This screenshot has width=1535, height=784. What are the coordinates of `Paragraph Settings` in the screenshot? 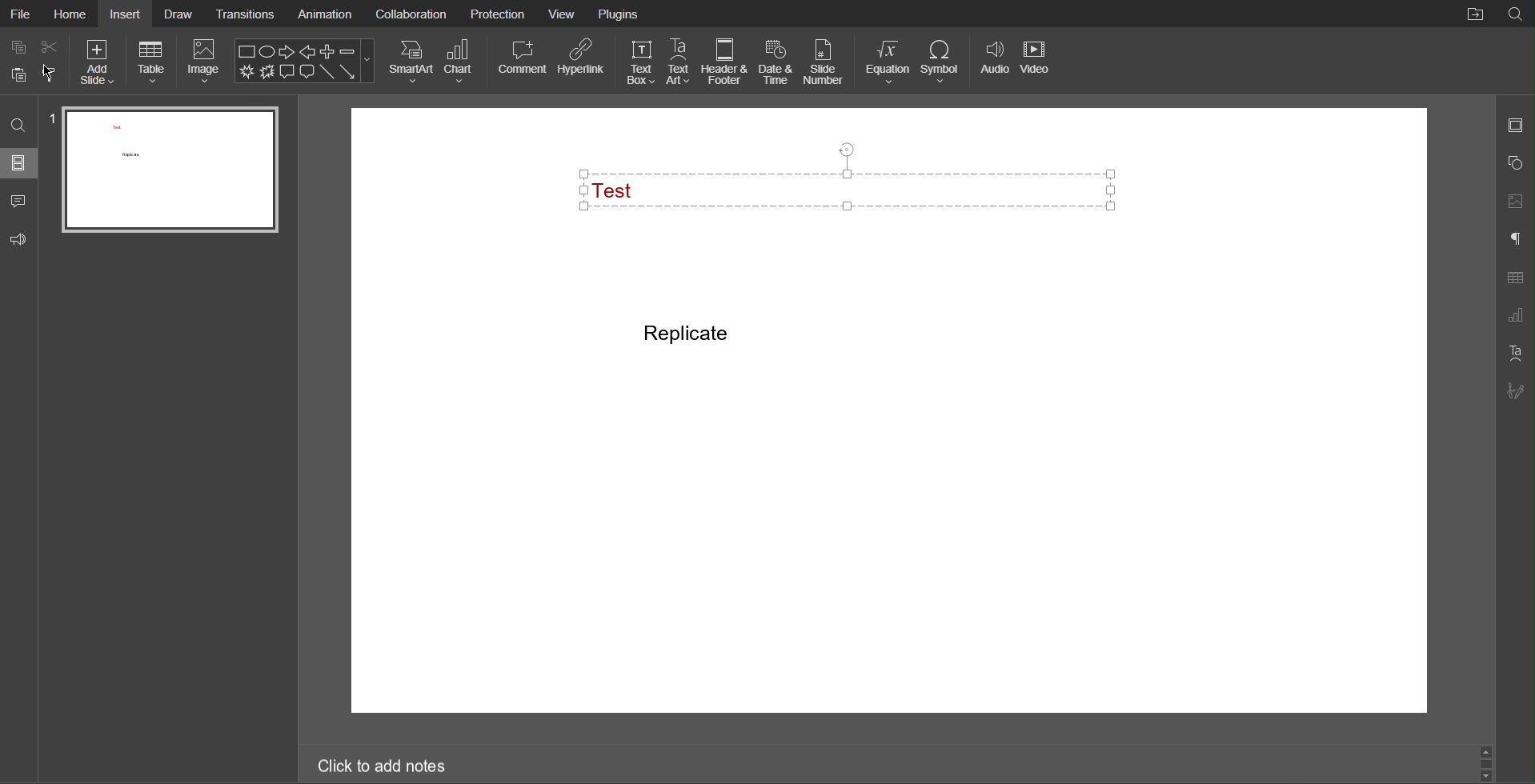 It's located at (1516, 241).